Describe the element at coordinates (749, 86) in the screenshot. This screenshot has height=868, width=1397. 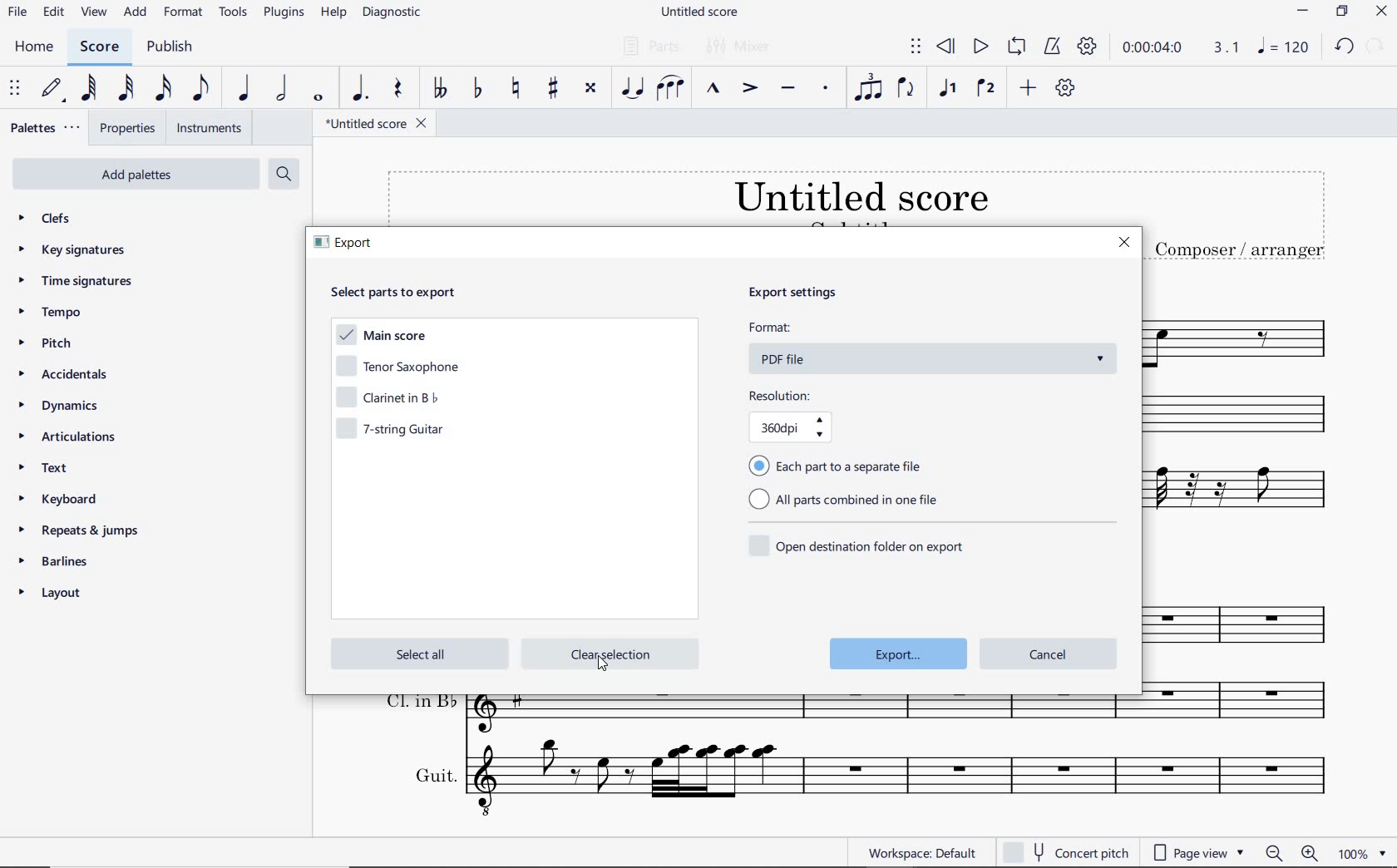
I see `ACCENT` at that location.